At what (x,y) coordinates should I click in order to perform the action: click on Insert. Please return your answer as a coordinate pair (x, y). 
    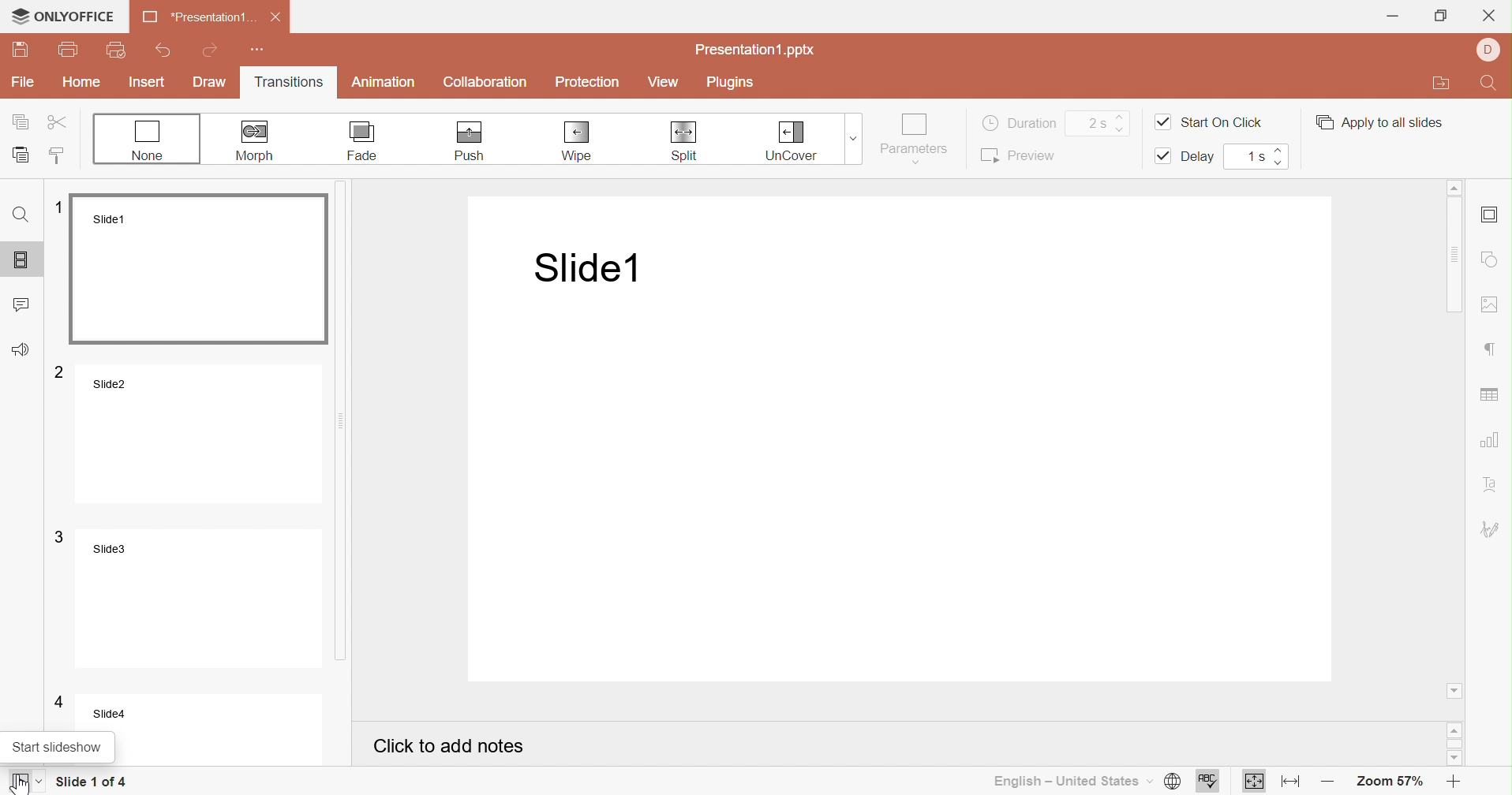
    Looking at the image, I should click on (148, 83).